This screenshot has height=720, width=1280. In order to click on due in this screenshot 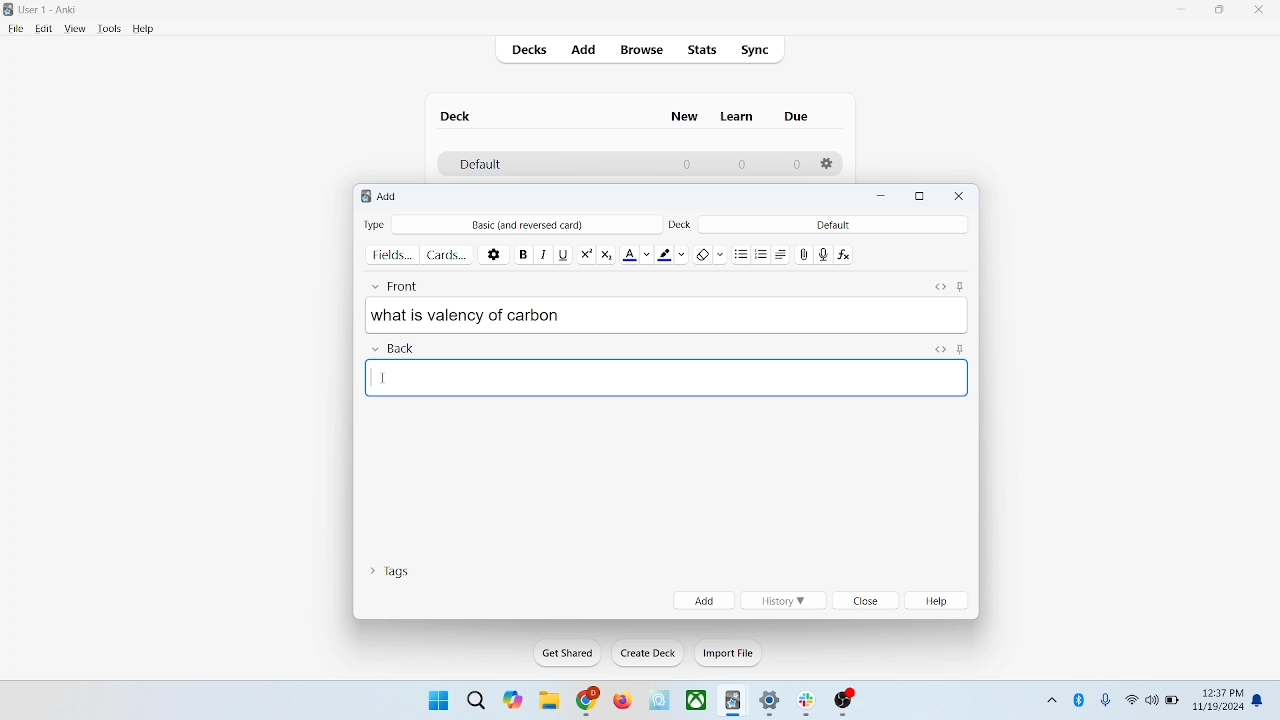, I will do `click(798, 117)`.